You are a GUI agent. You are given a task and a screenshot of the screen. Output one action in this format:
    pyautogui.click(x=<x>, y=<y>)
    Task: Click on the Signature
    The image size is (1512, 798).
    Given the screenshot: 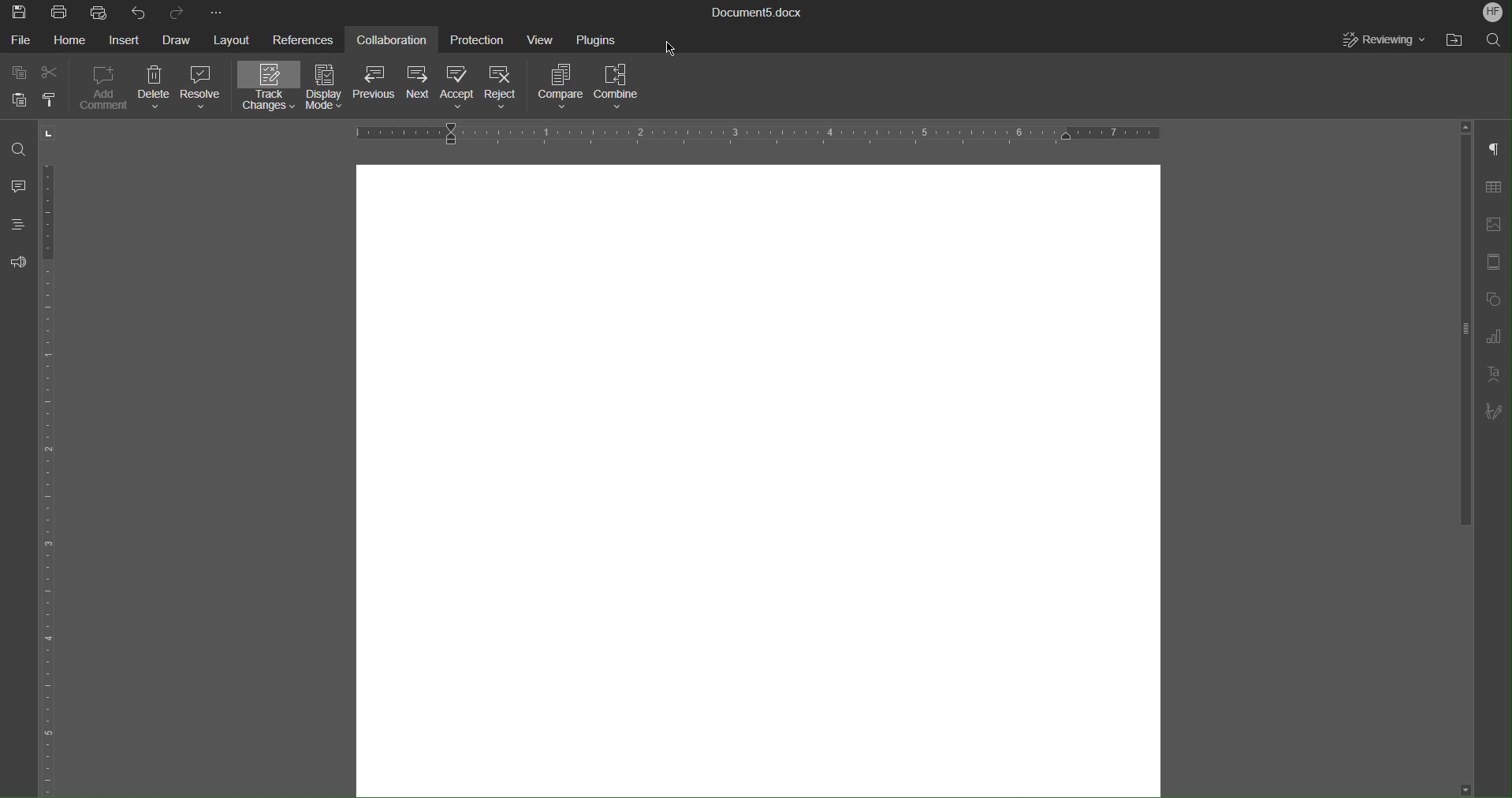 What is the action you would take?
    pyautogui.click(x=1492, y=413)
    